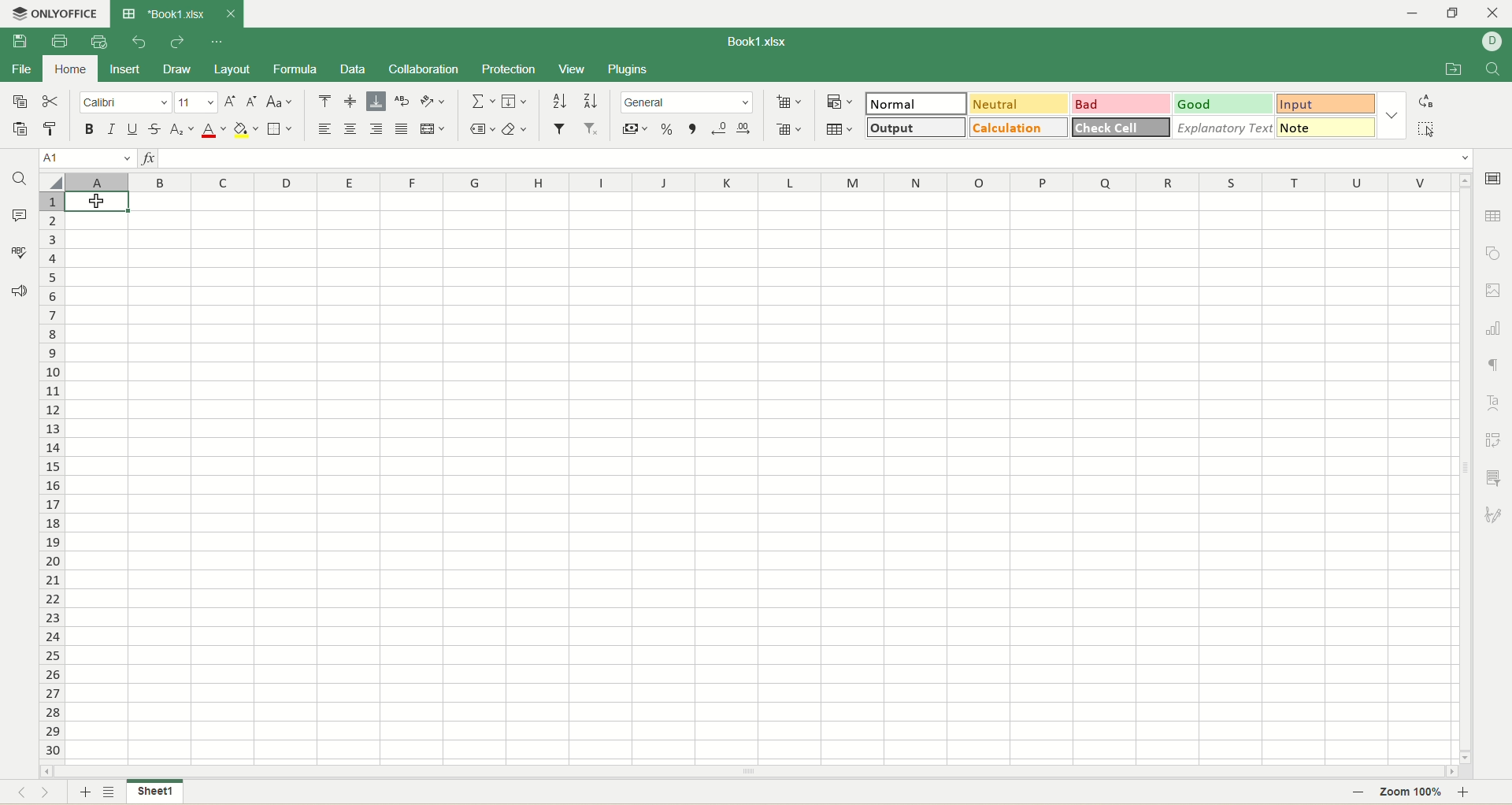  Describe the element at coordinates (788, 128) in the screenshot. I see `remove cell` at that location.